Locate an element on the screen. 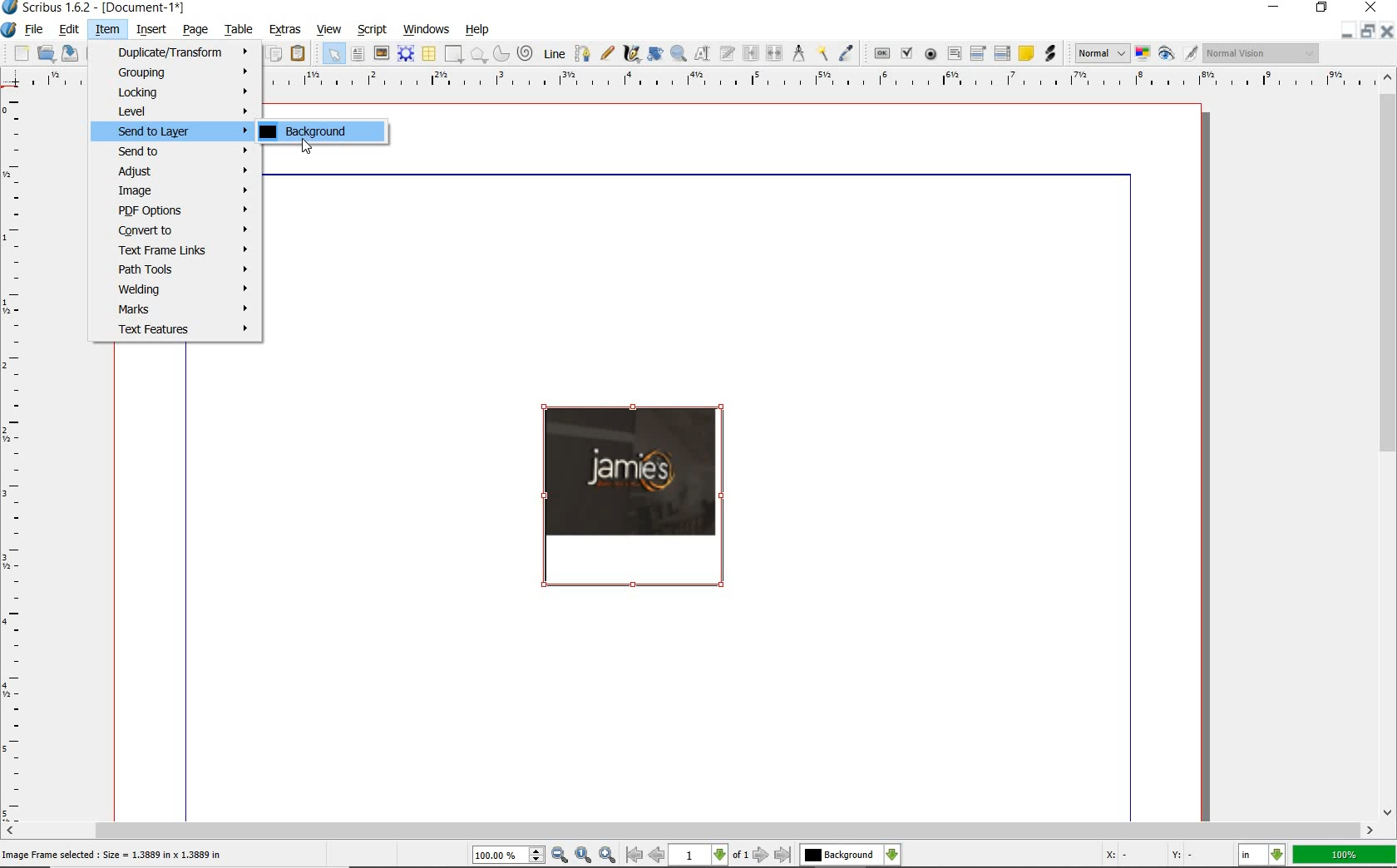 The image size is (1397, 868). Looking is located at coordinates (176, 91).